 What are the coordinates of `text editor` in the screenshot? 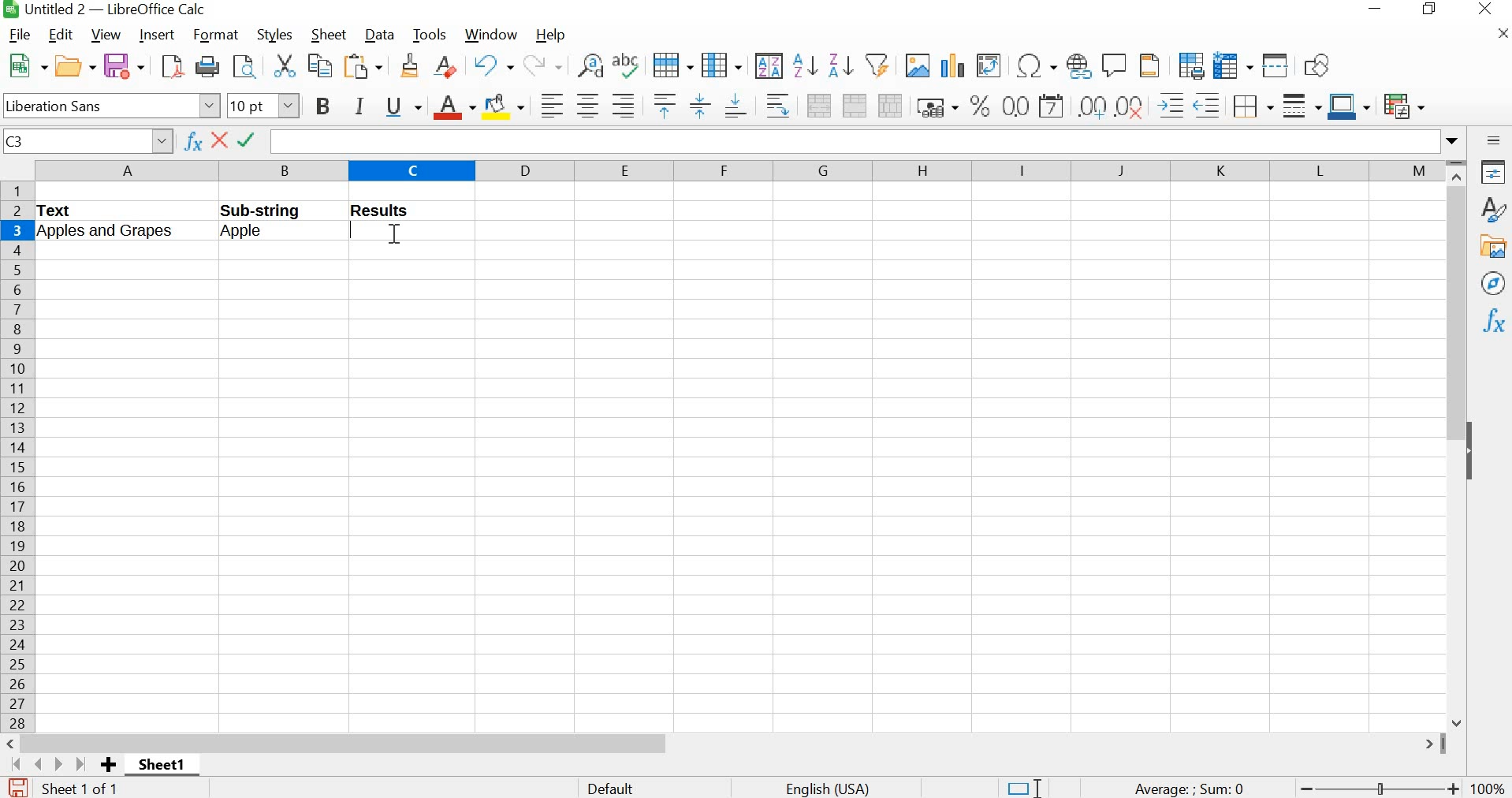 It's located at (359, 229).